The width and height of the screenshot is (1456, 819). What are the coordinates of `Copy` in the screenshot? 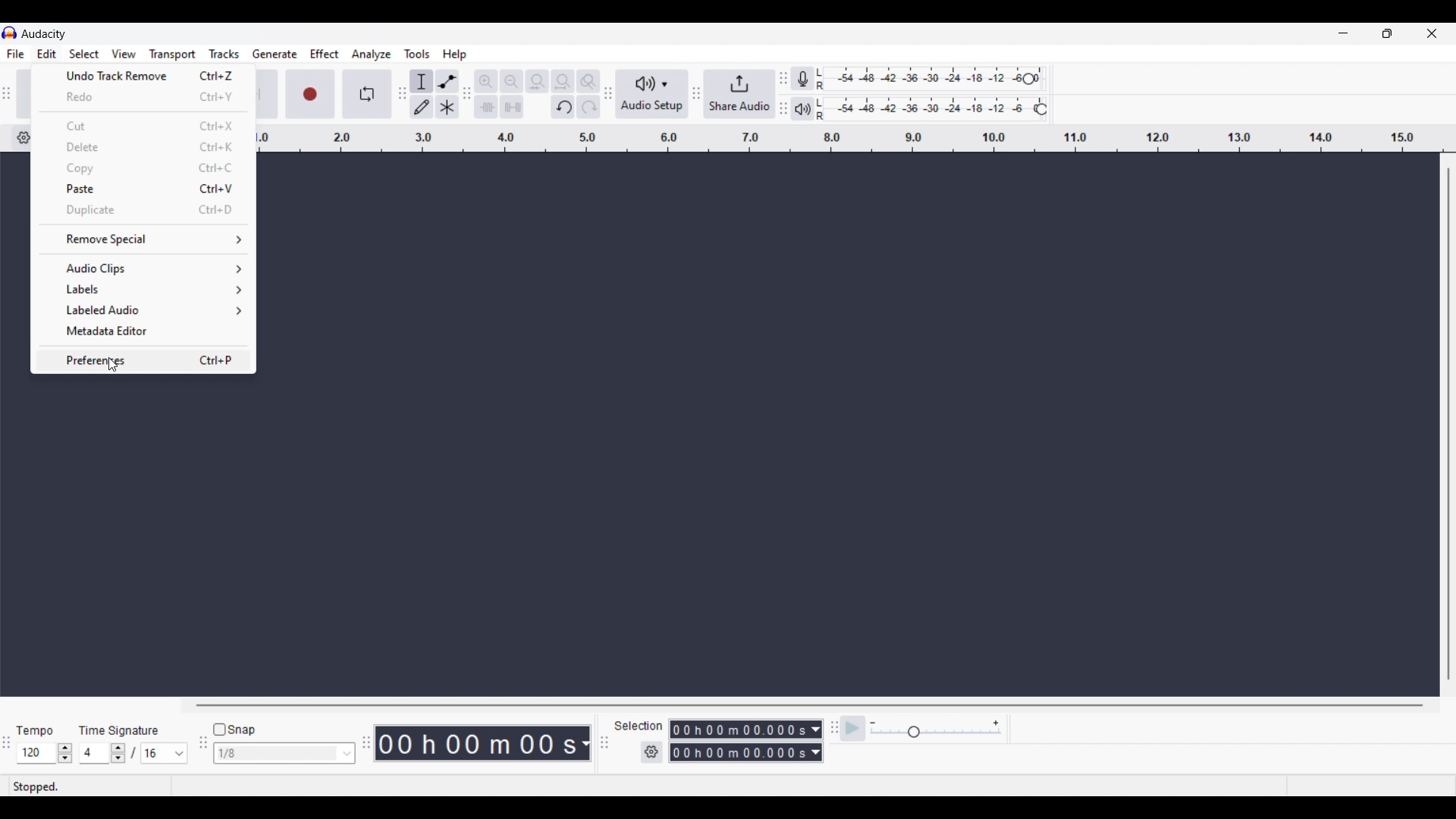 It's located at (145, 168).